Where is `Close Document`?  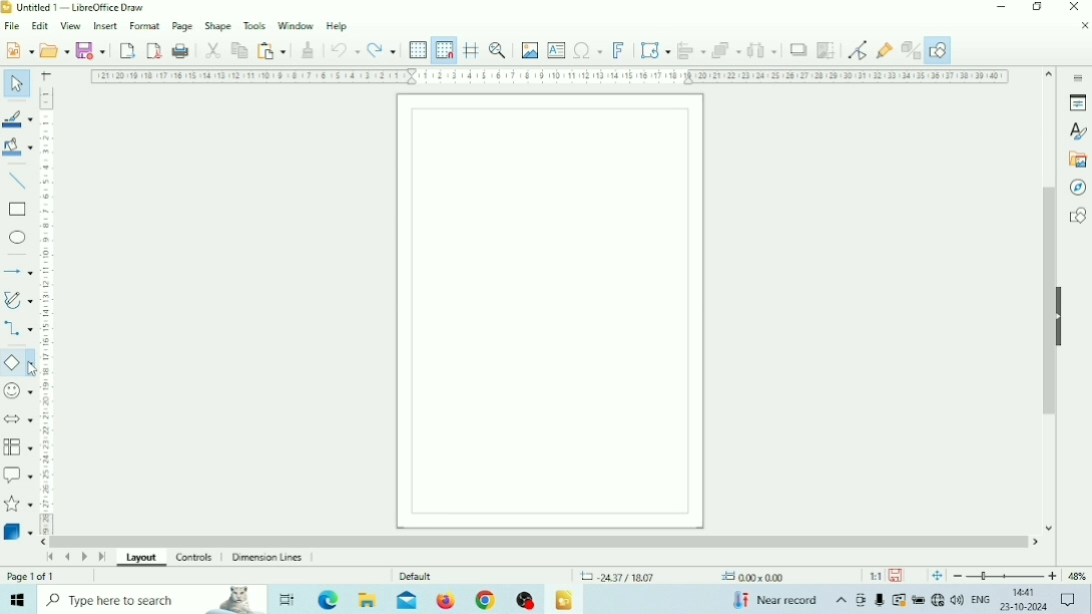
Close Document is located at coordinates (1084, 25).